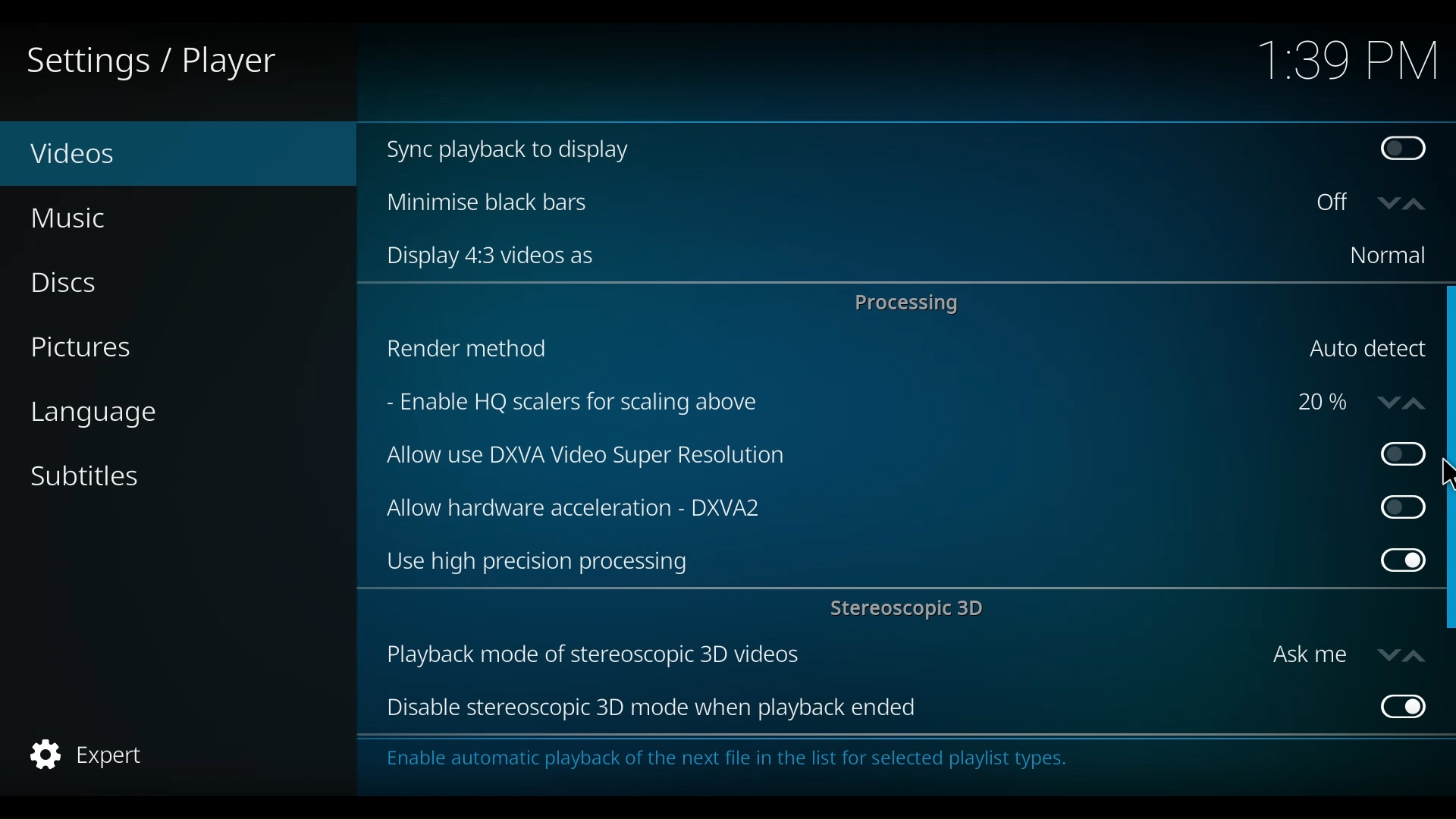  I want to click on language, so click(93, 415).